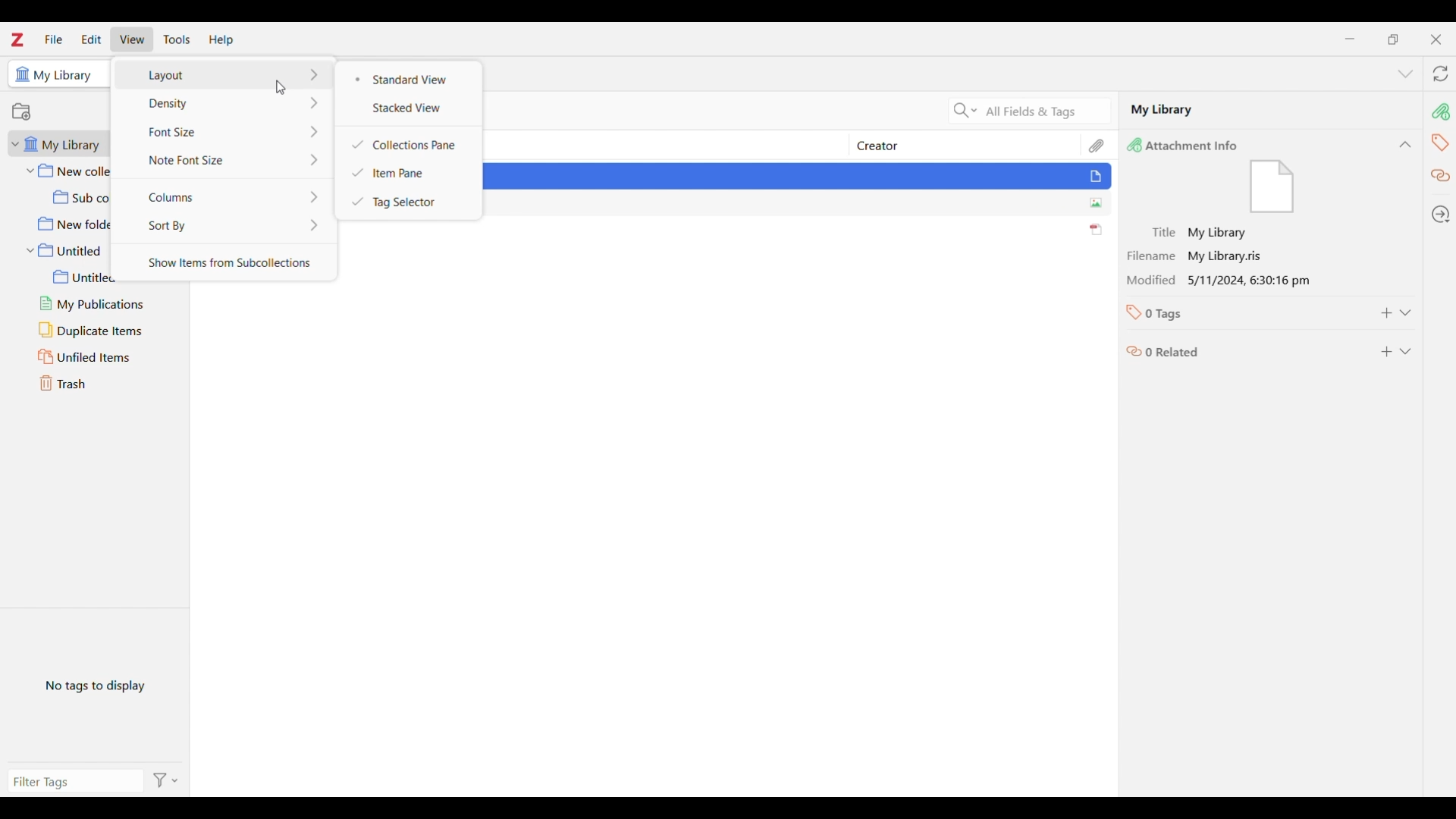 The width and height of the screenshot is (1456, 819). What do you see at coordinates (17, 39) in the screenshot?
I see `Software logo` at bounding box center [17, 39].